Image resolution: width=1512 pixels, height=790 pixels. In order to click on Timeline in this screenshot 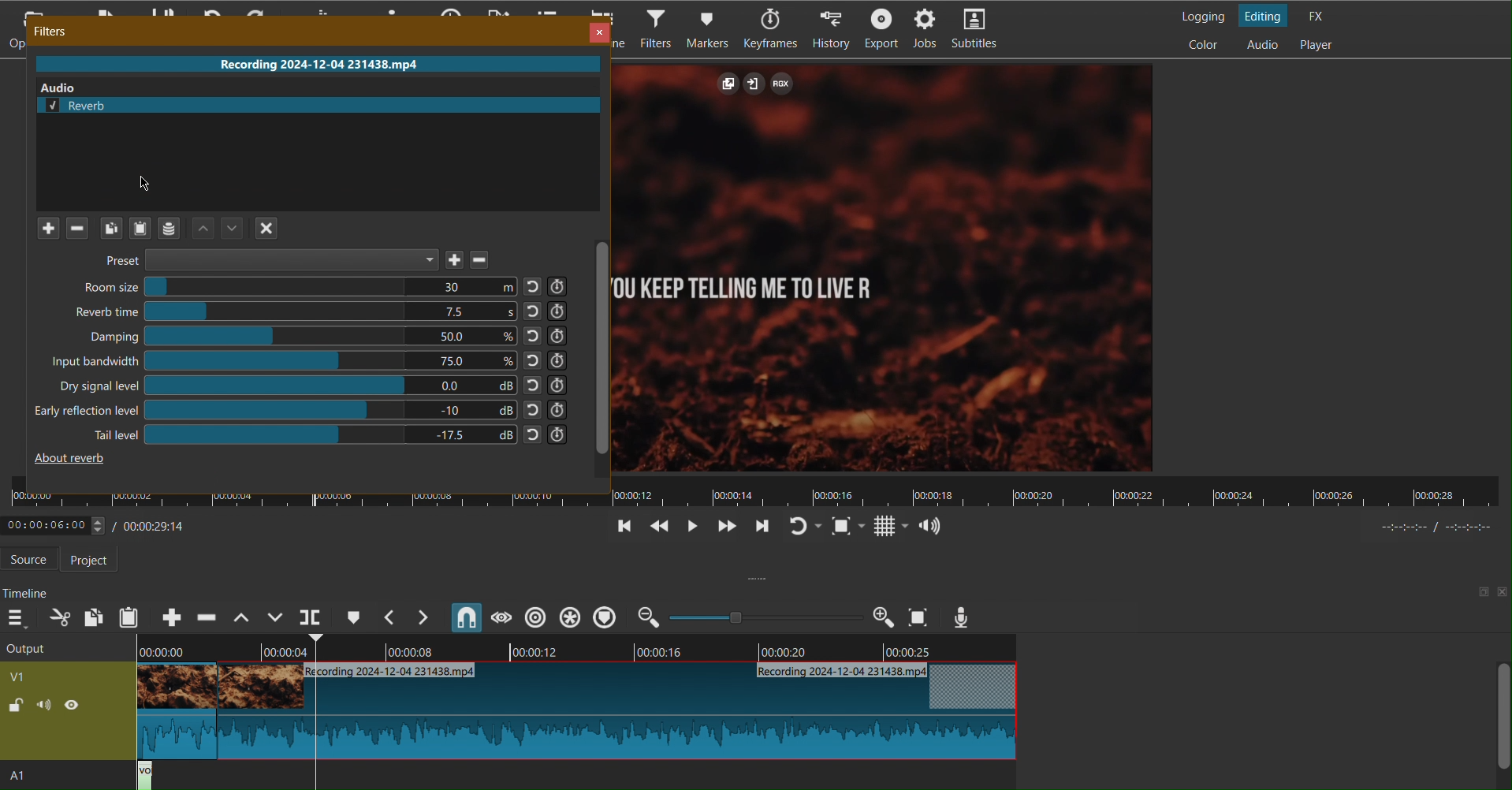, I will do `click(577, 650)`.